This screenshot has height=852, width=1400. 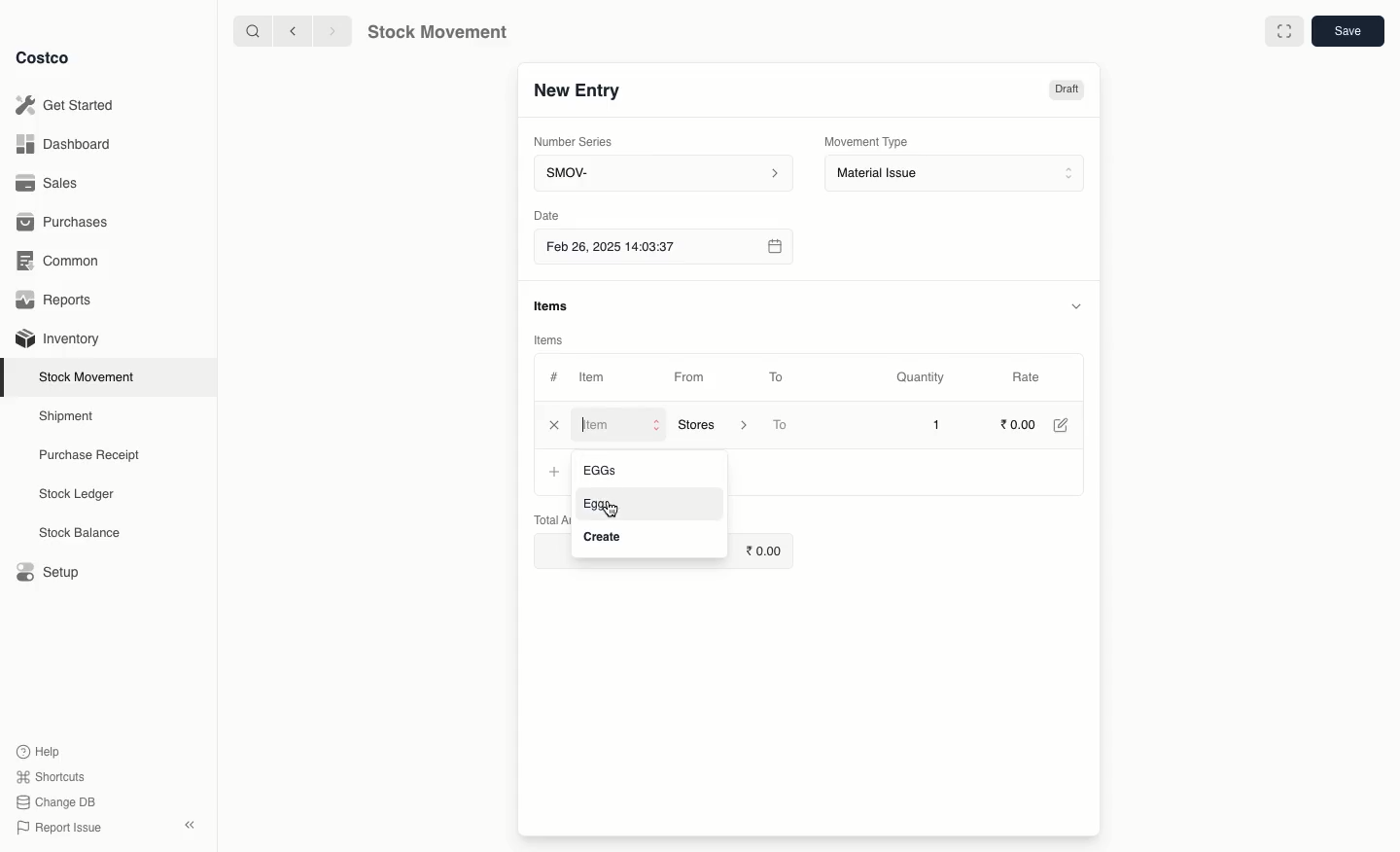 What do you see at coordinates (782, 426) in the screenshot?
I see `To` at bounding box center [782, 426].